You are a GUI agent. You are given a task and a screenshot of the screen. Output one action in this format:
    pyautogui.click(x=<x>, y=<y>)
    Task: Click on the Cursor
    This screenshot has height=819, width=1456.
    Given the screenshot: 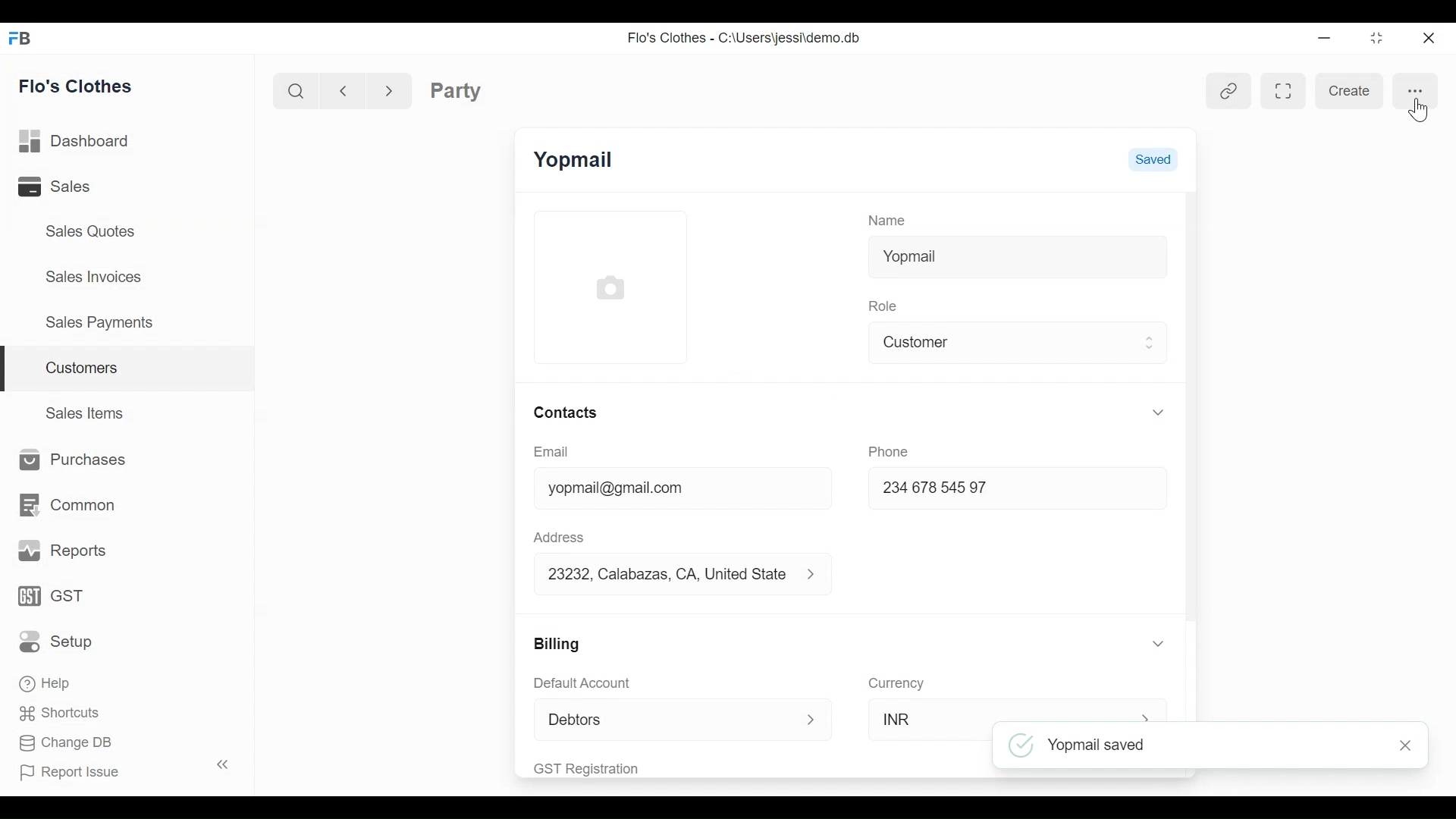 What is the action you would take?
    pyautogui.click(x=1420, y=111)
    